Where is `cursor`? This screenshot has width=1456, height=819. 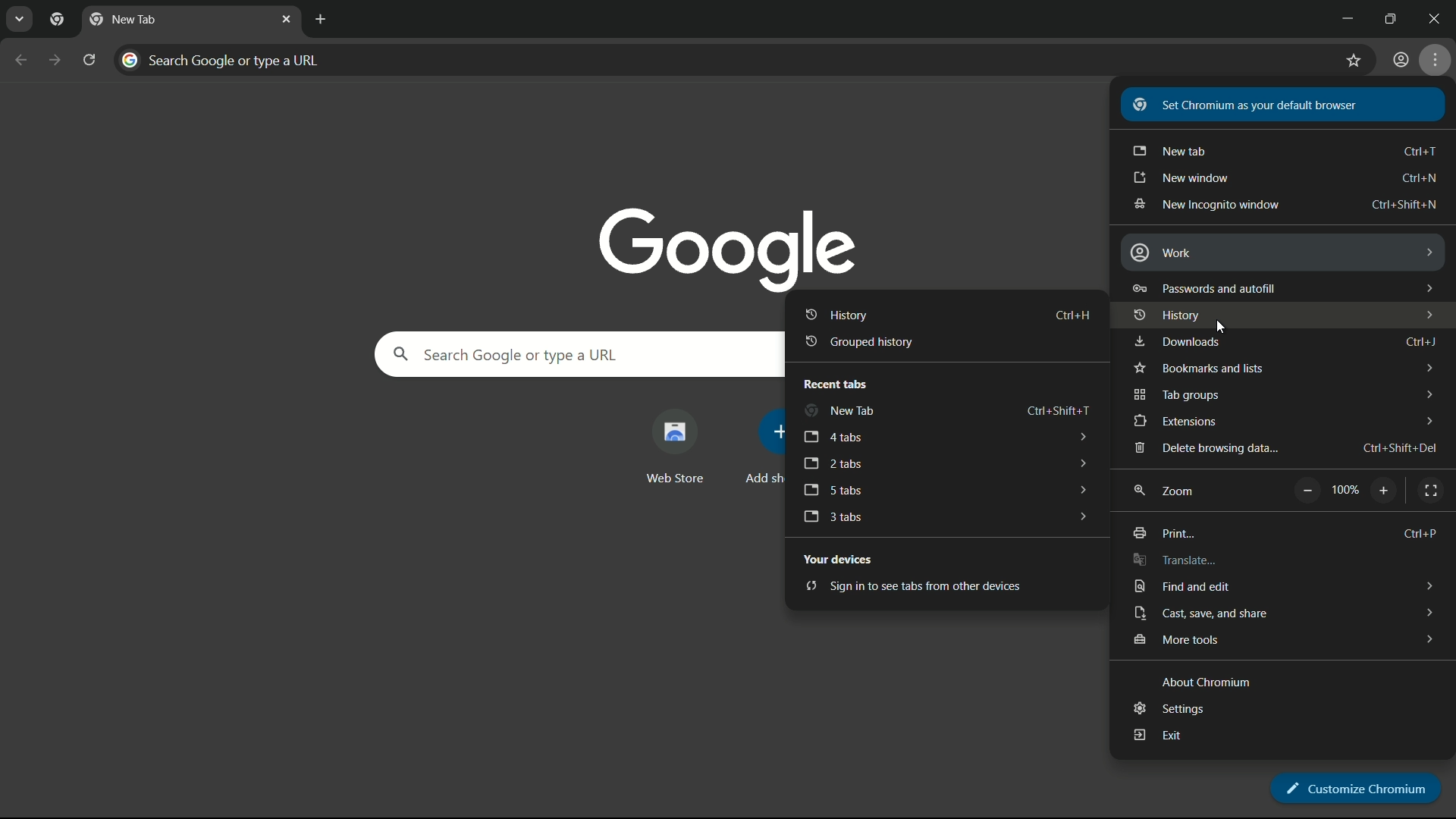
cursor is located at coordinates (1223, 324).